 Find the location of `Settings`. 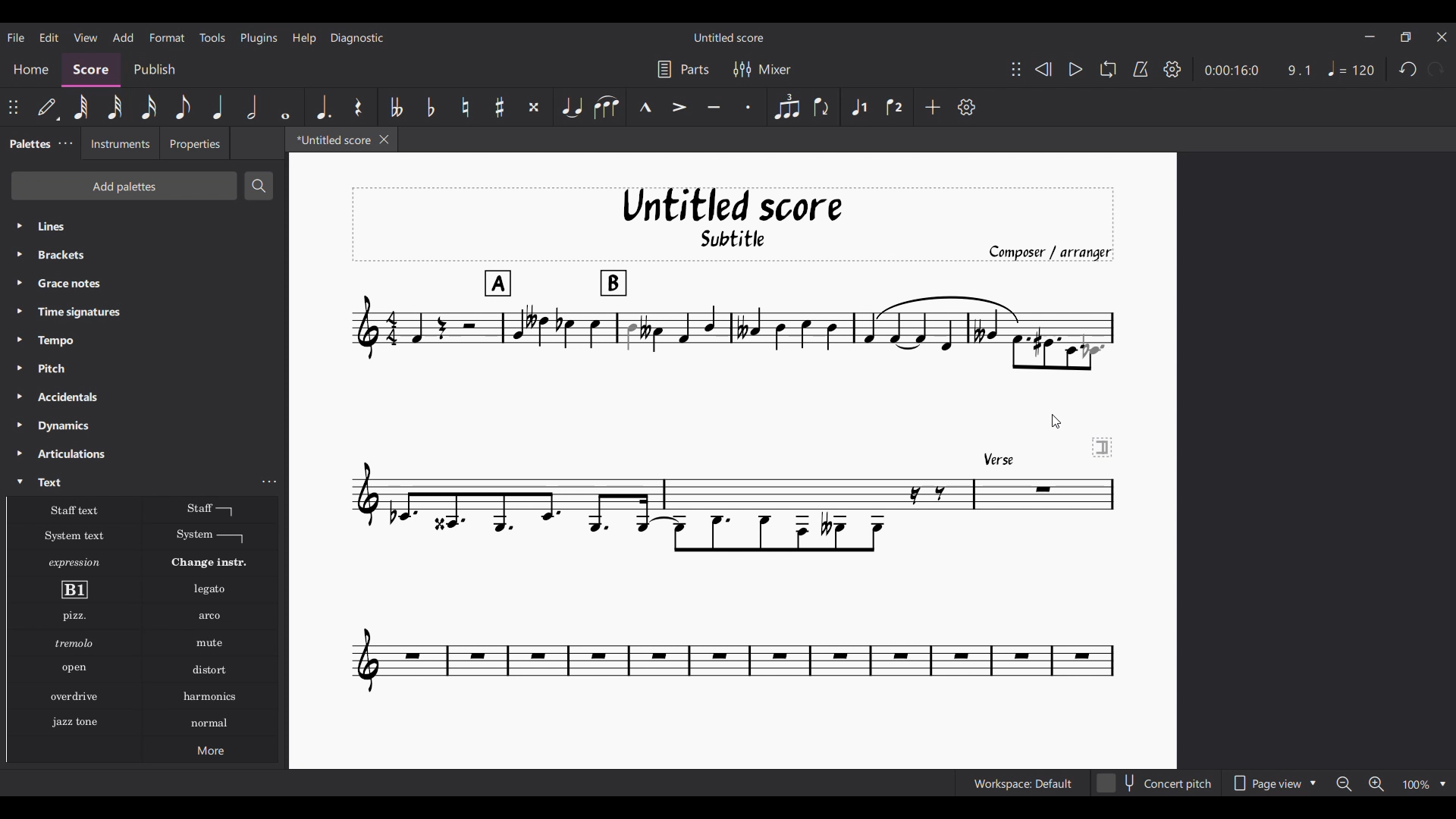

Settings is located at coordinates (1172, 69).